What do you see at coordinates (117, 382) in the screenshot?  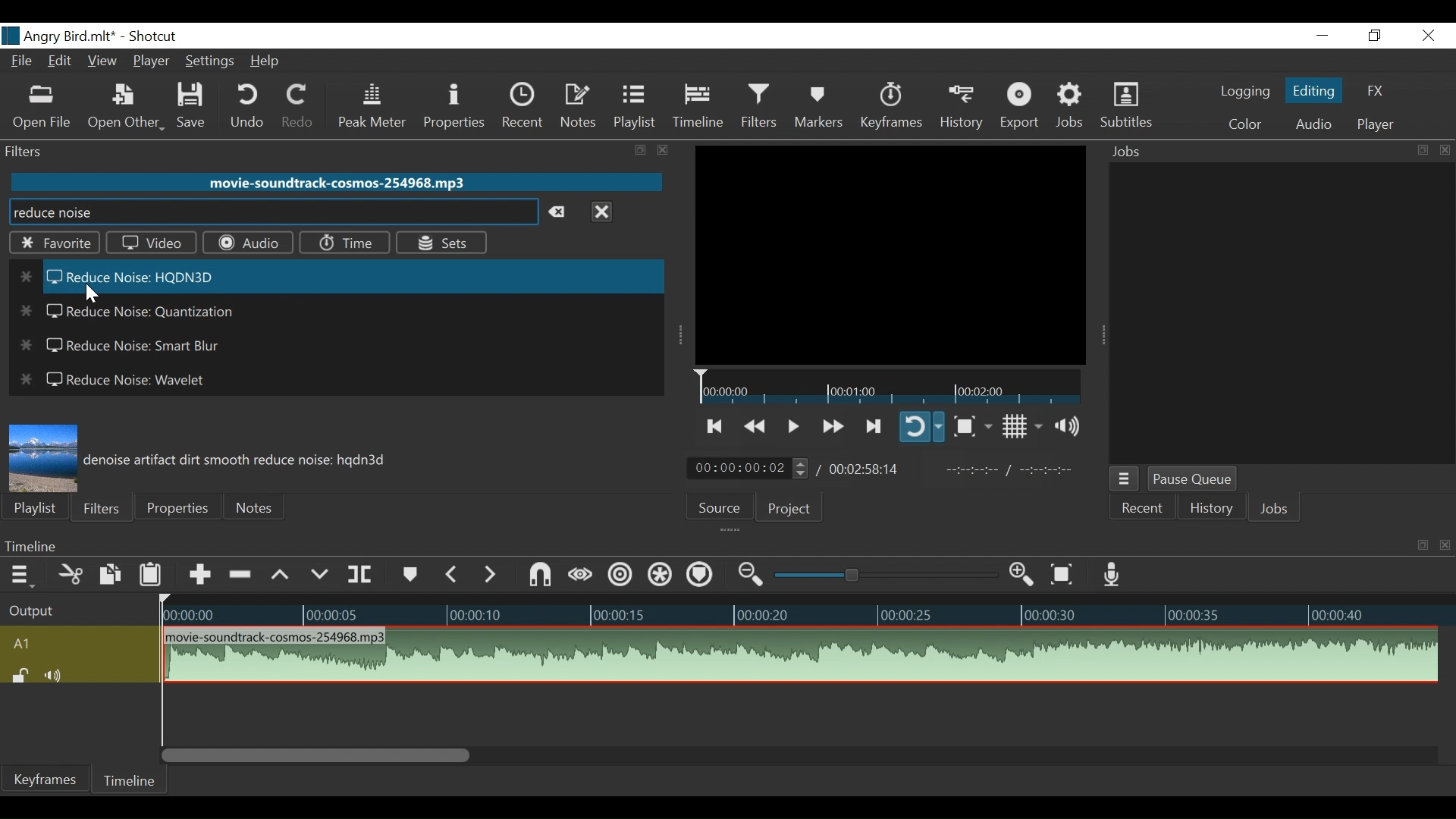 I see `Reduce Noise: Wavelet` at bounding box center [117, 382].